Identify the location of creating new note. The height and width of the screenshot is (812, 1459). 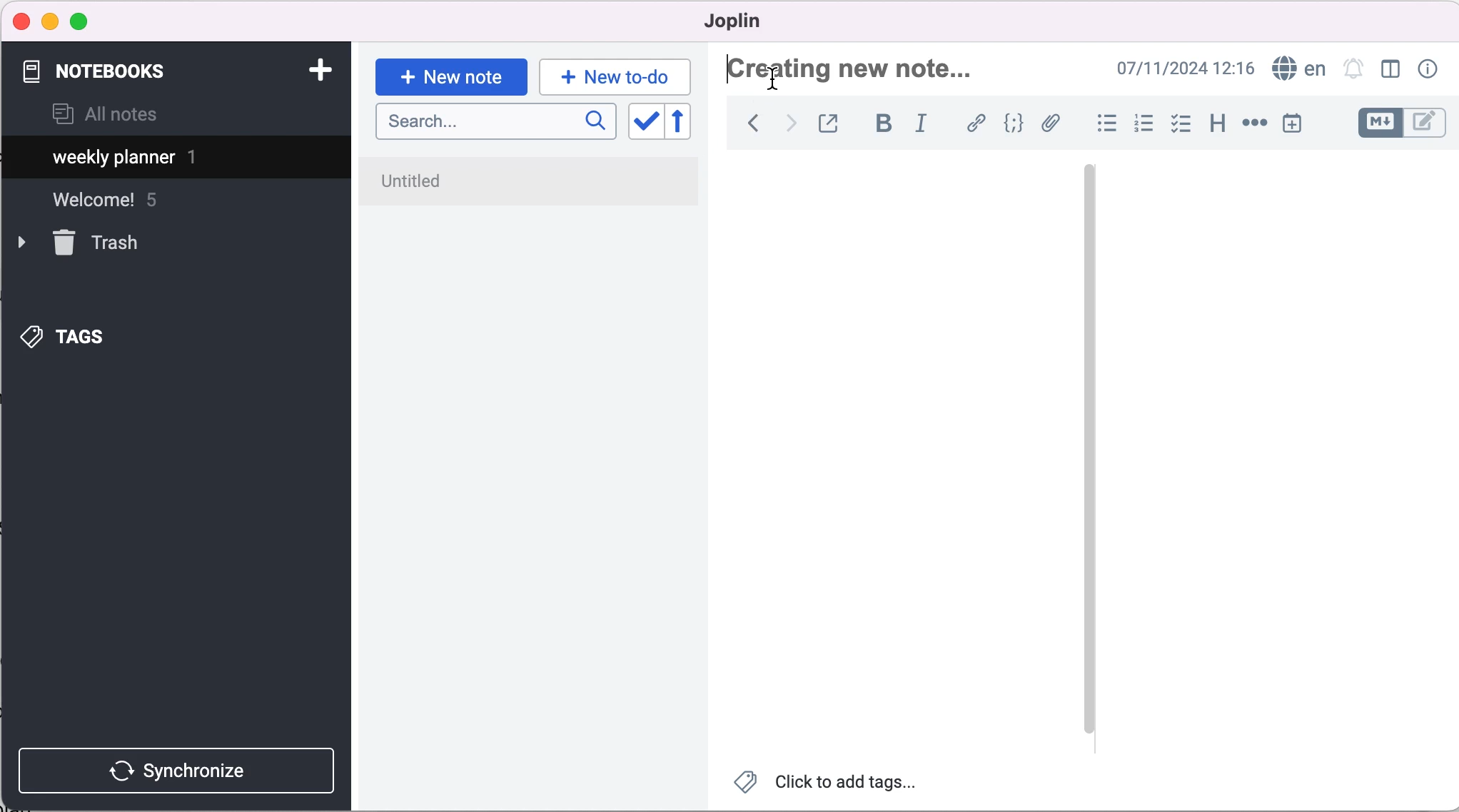
(874, 73).